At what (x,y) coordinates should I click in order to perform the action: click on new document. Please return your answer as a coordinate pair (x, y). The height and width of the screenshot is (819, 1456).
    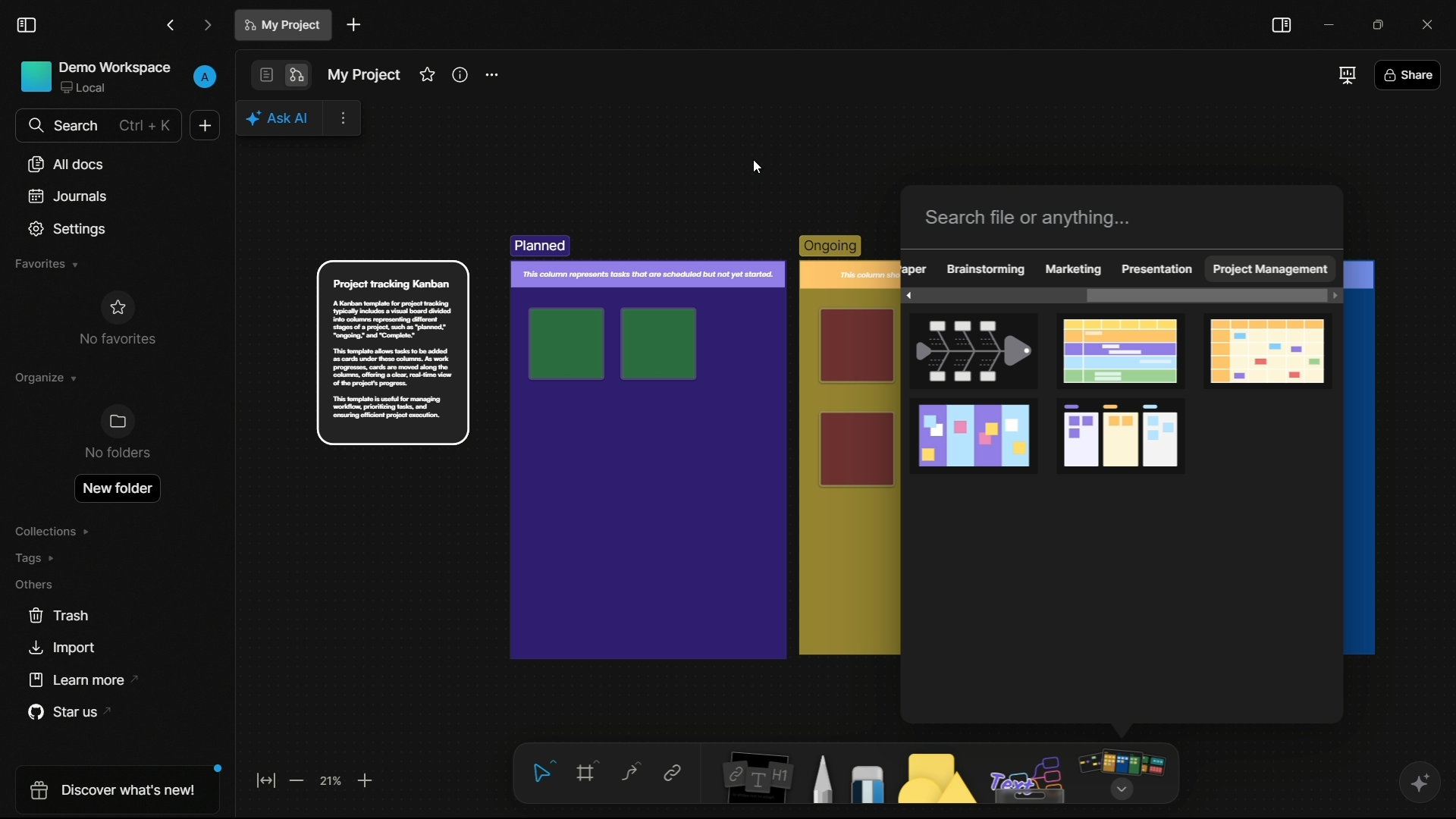
    Looking at the image, I should click on (205, 125).